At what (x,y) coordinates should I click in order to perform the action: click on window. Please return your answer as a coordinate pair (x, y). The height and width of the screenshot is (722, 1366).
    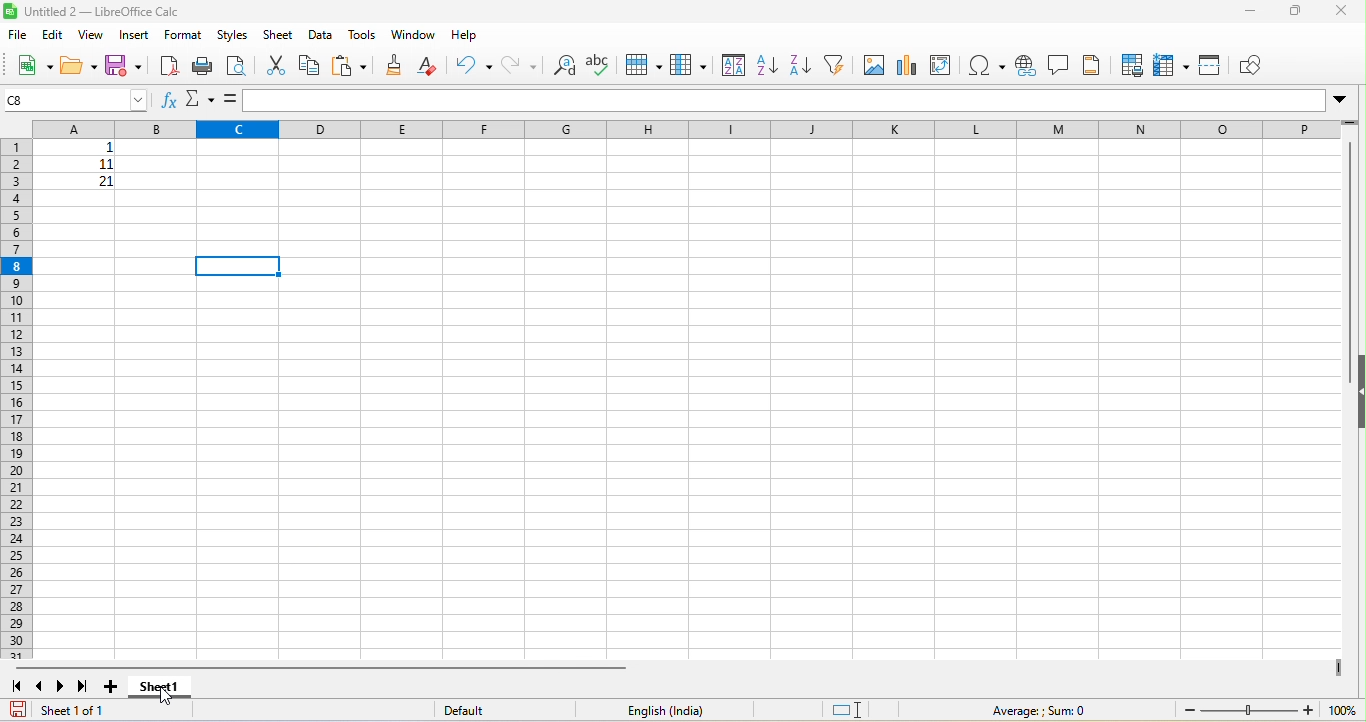
    Looking at the image, I should click on (412, 36).